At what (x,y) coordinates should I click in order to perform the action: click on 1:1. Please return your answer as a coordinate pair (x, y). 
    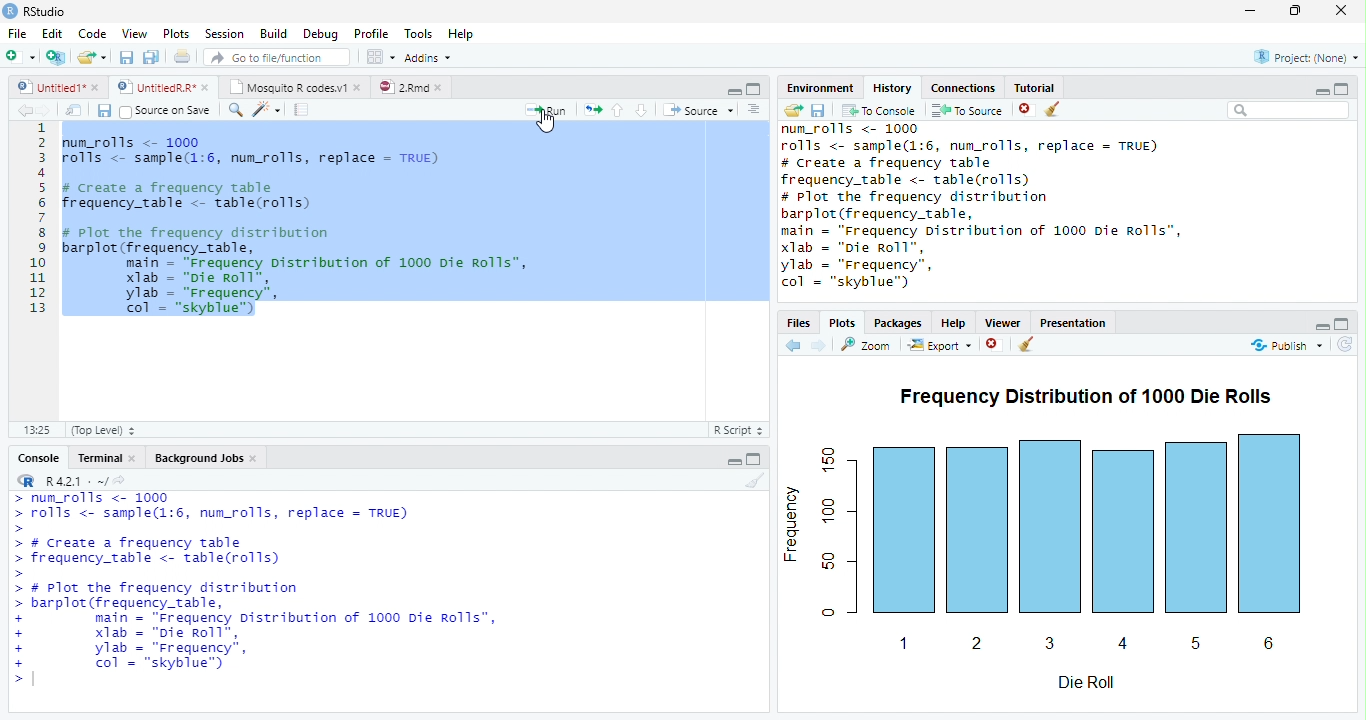
    Looking at the image, I should click on (35, 430).